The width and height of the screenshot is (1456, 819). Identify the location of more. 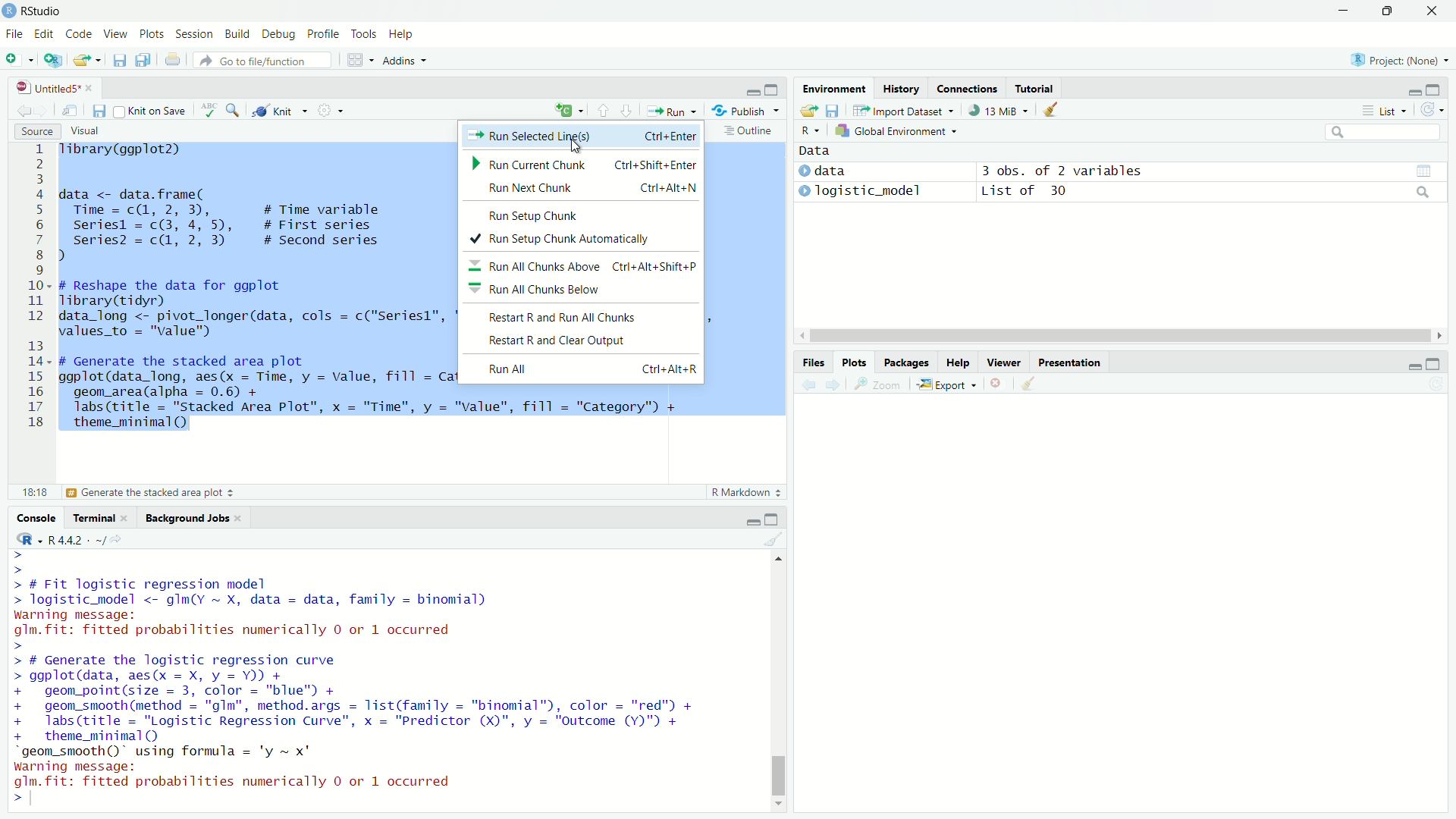
(1366, 113).